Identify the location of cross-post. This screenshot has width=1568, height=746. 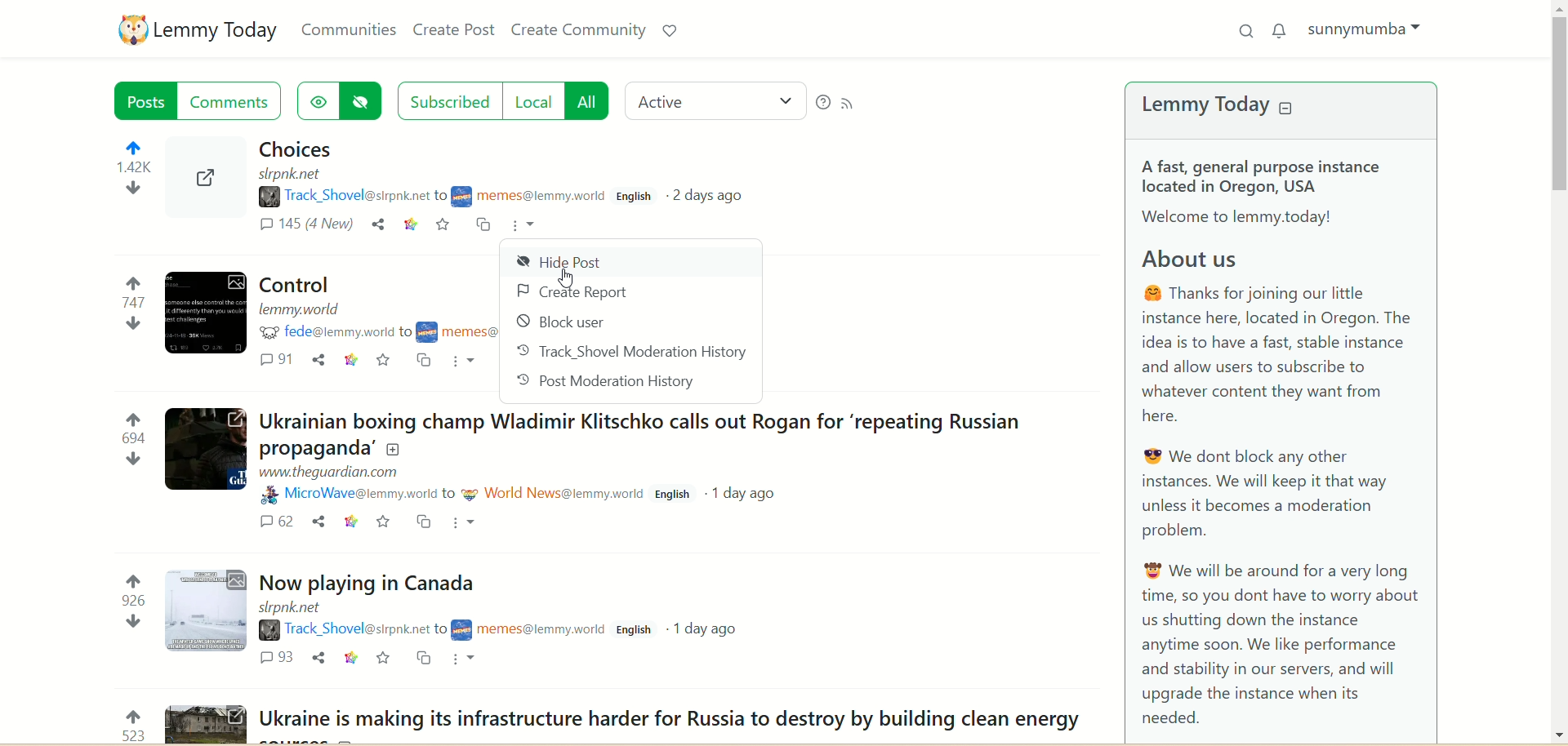
(484, 227).